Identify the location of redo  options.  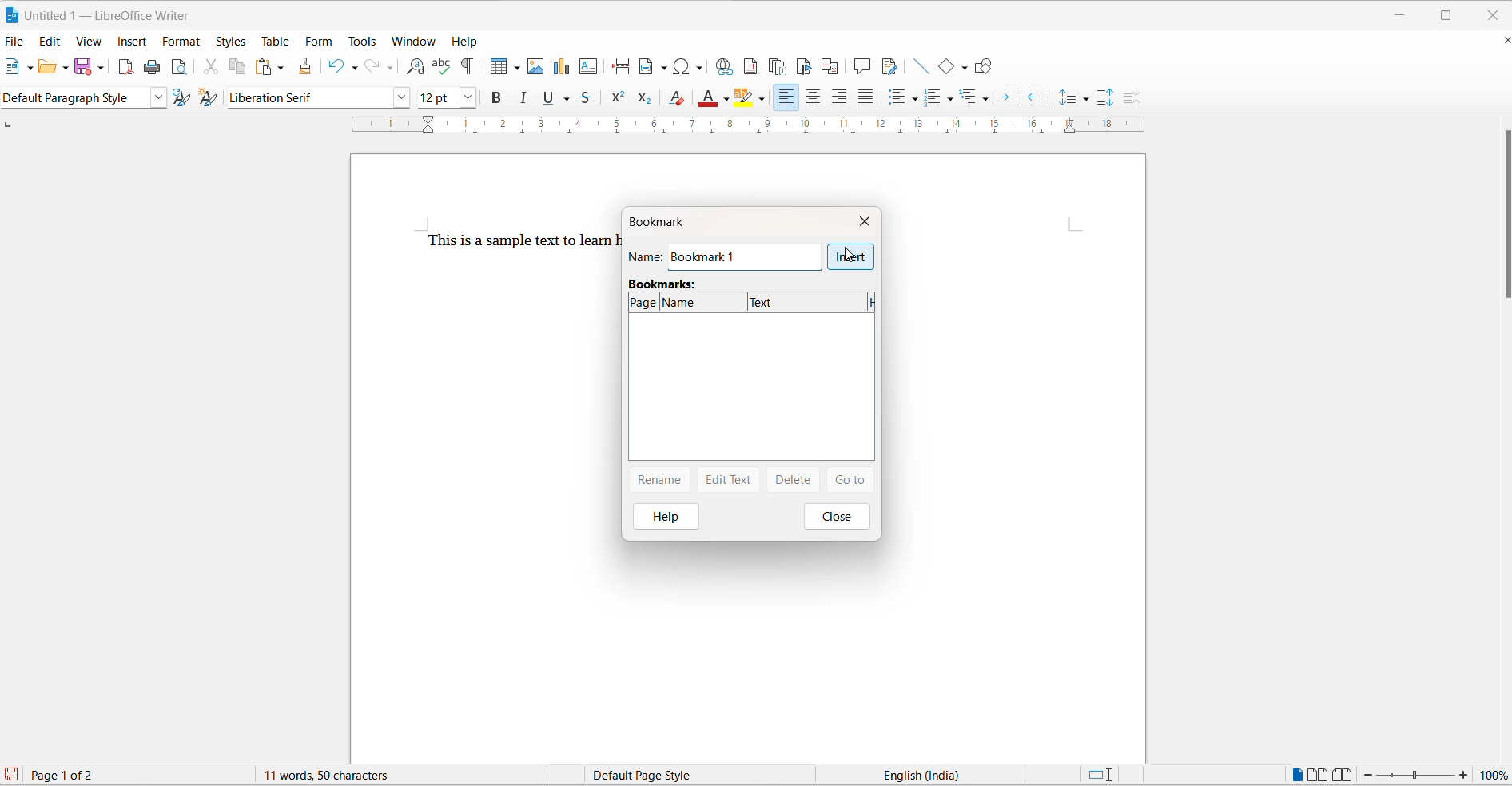
(391, 67).